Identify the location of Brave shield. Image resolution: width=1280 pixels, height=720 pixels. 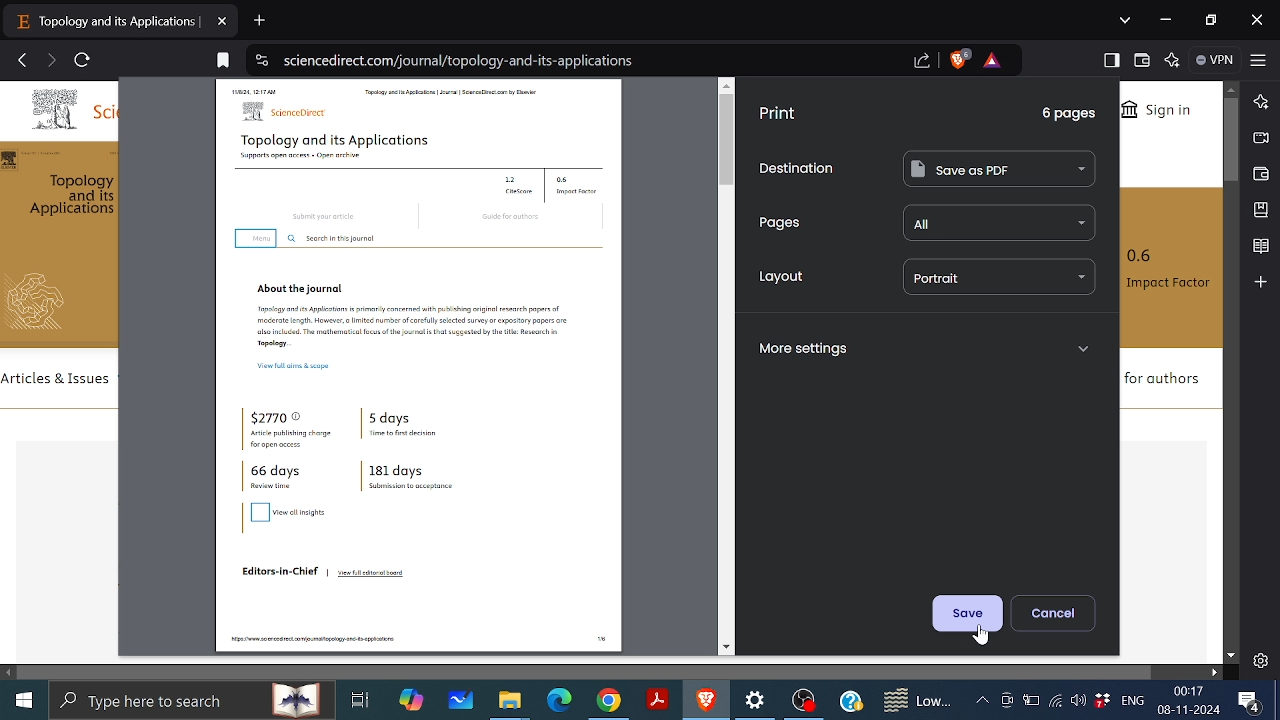
(960, 61).